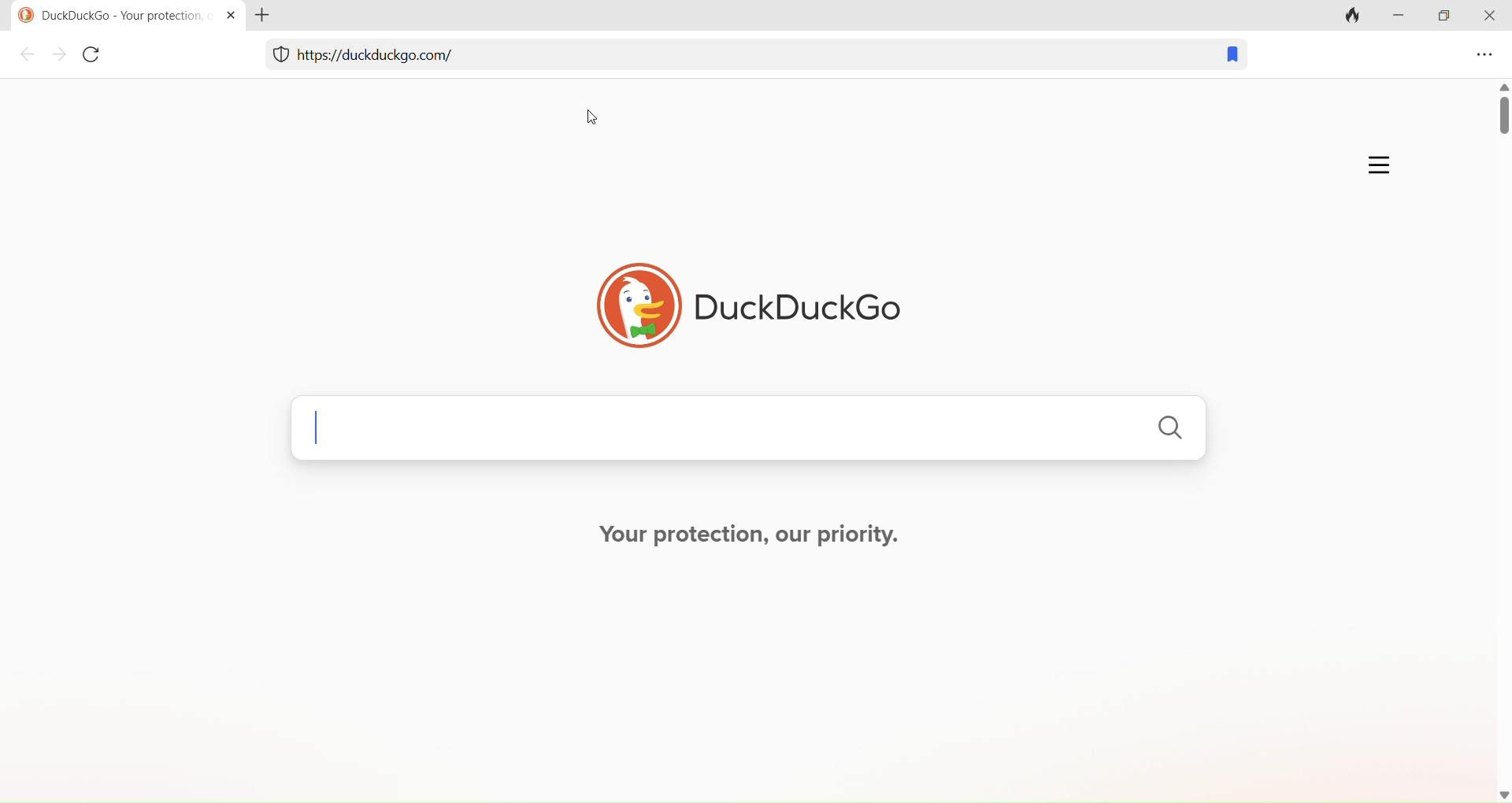 Image resolution: width=1512 pixels, height=803 pixels. What do you see at coordinates (1374, 162) in the screenshot?
I see `more options` at bounding box center [1374, 162].